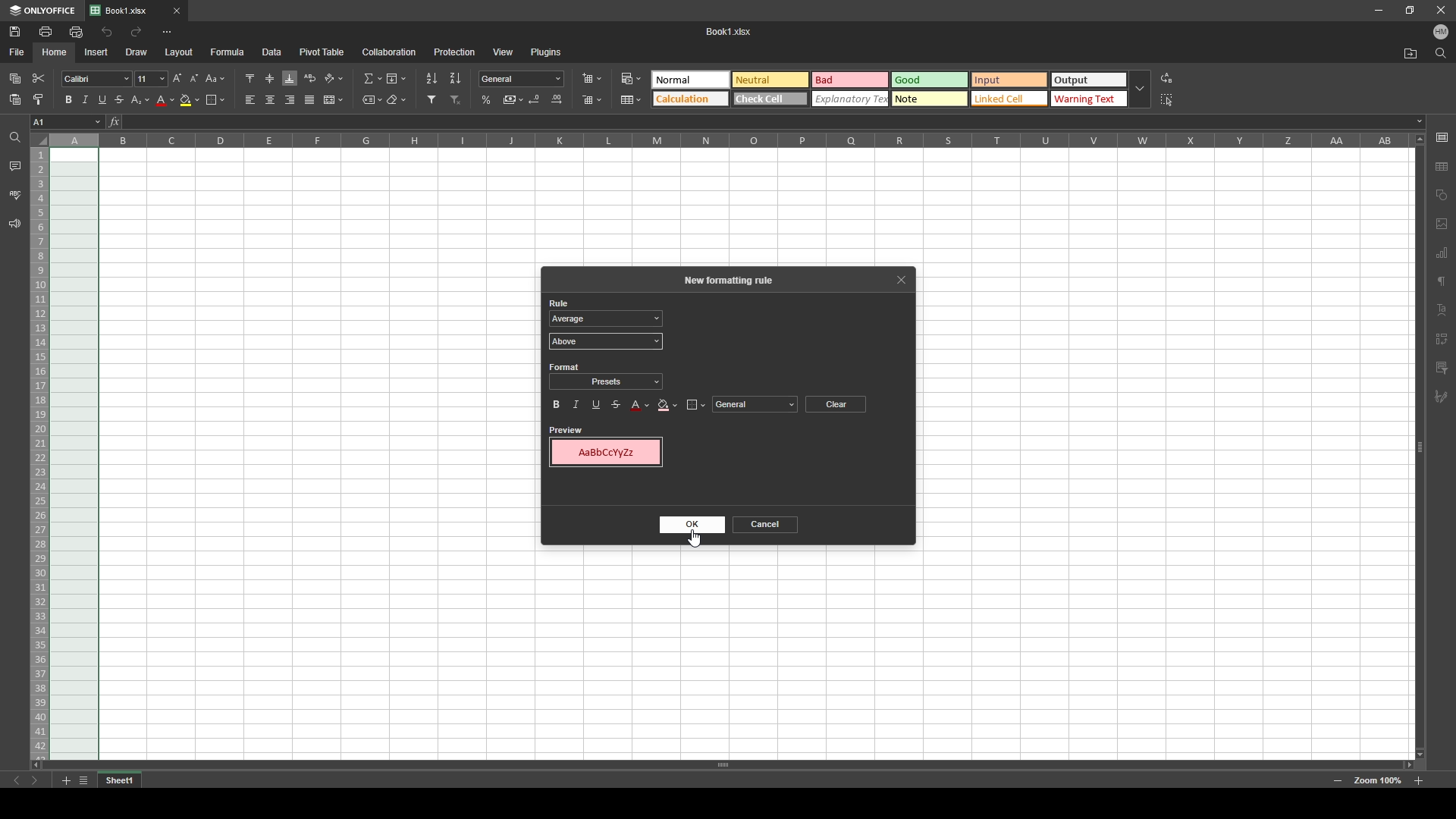  What do you see at coordinates (167, 32) in the screenshot?
I see `more options` at bounding box center [167, 32].